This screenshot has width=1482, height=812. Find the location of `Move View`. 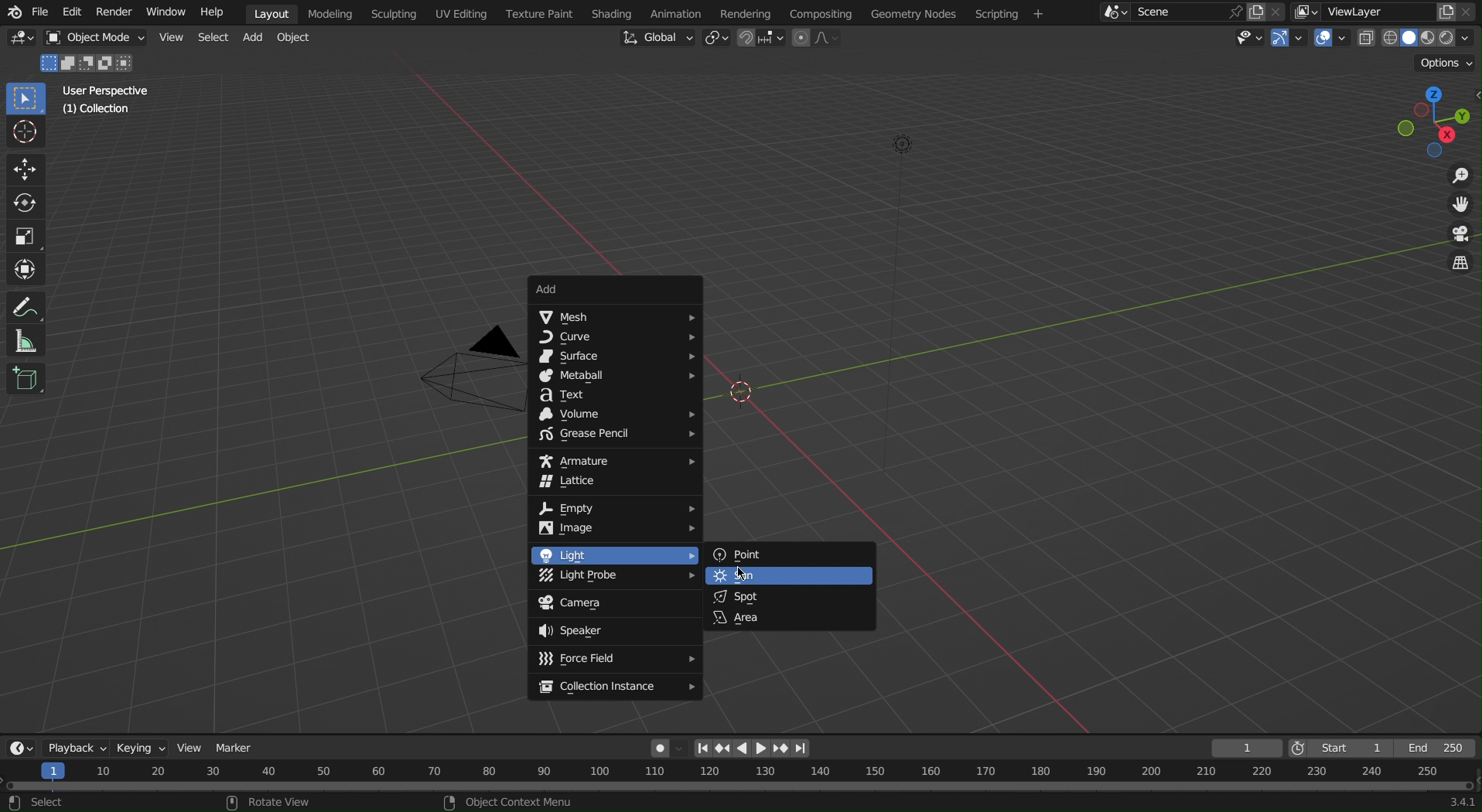

Move View is located at coordinates (1459, 206).